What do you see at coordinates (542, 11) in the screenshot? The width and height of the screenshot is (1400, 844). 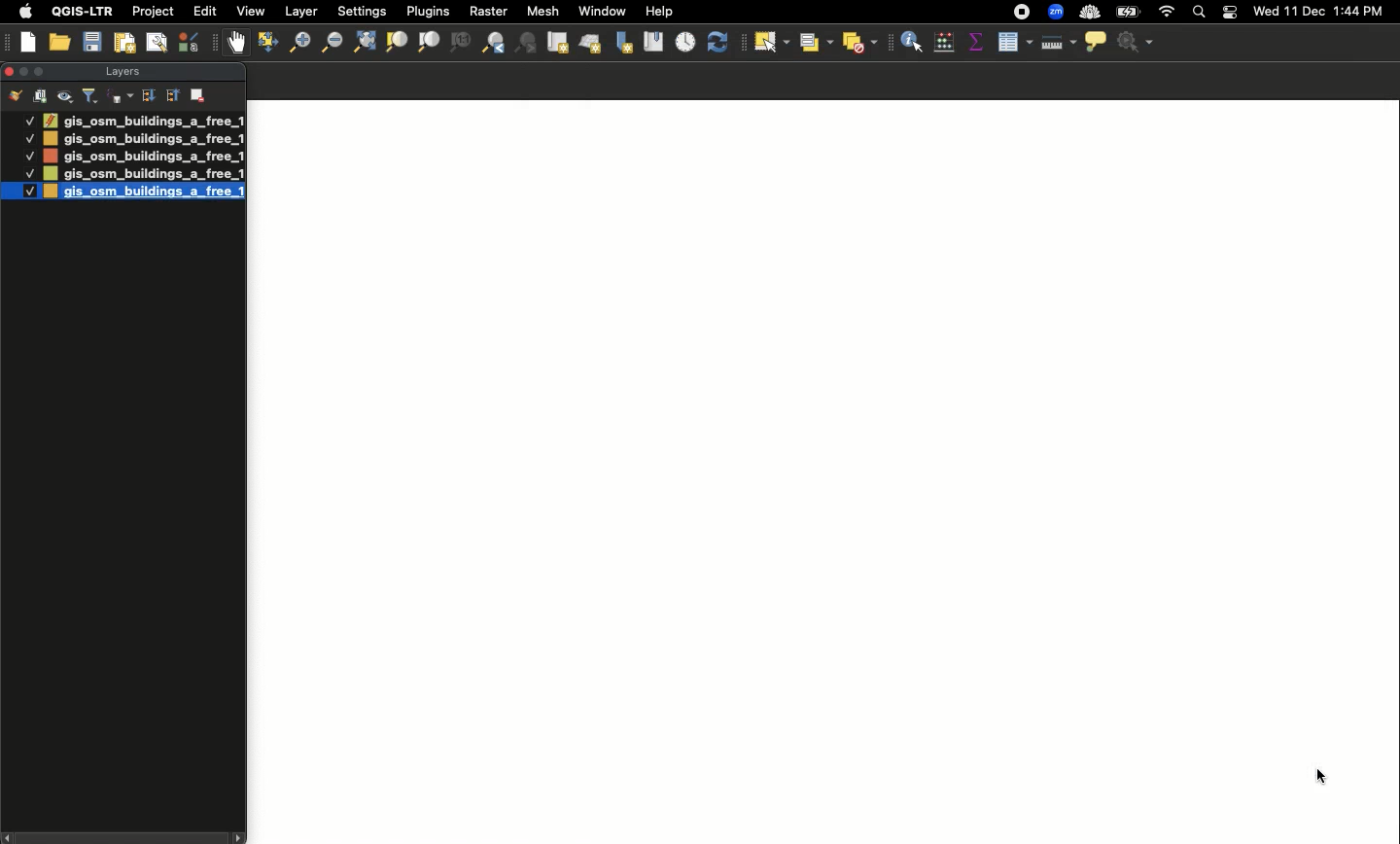 I see `Mesh` at bounding box center [542, 11].